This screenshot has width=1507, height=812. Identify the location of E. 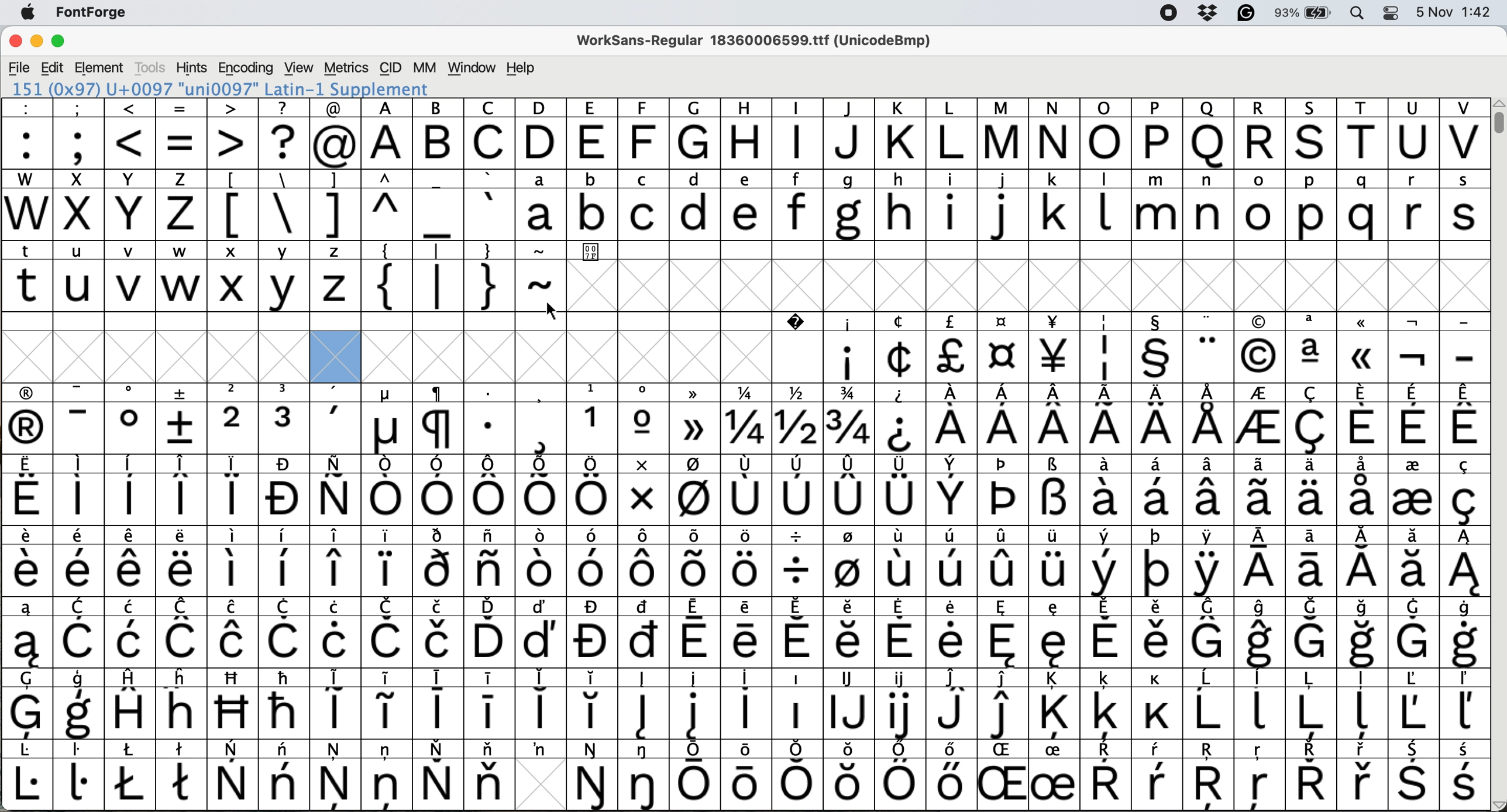
(593, 133).